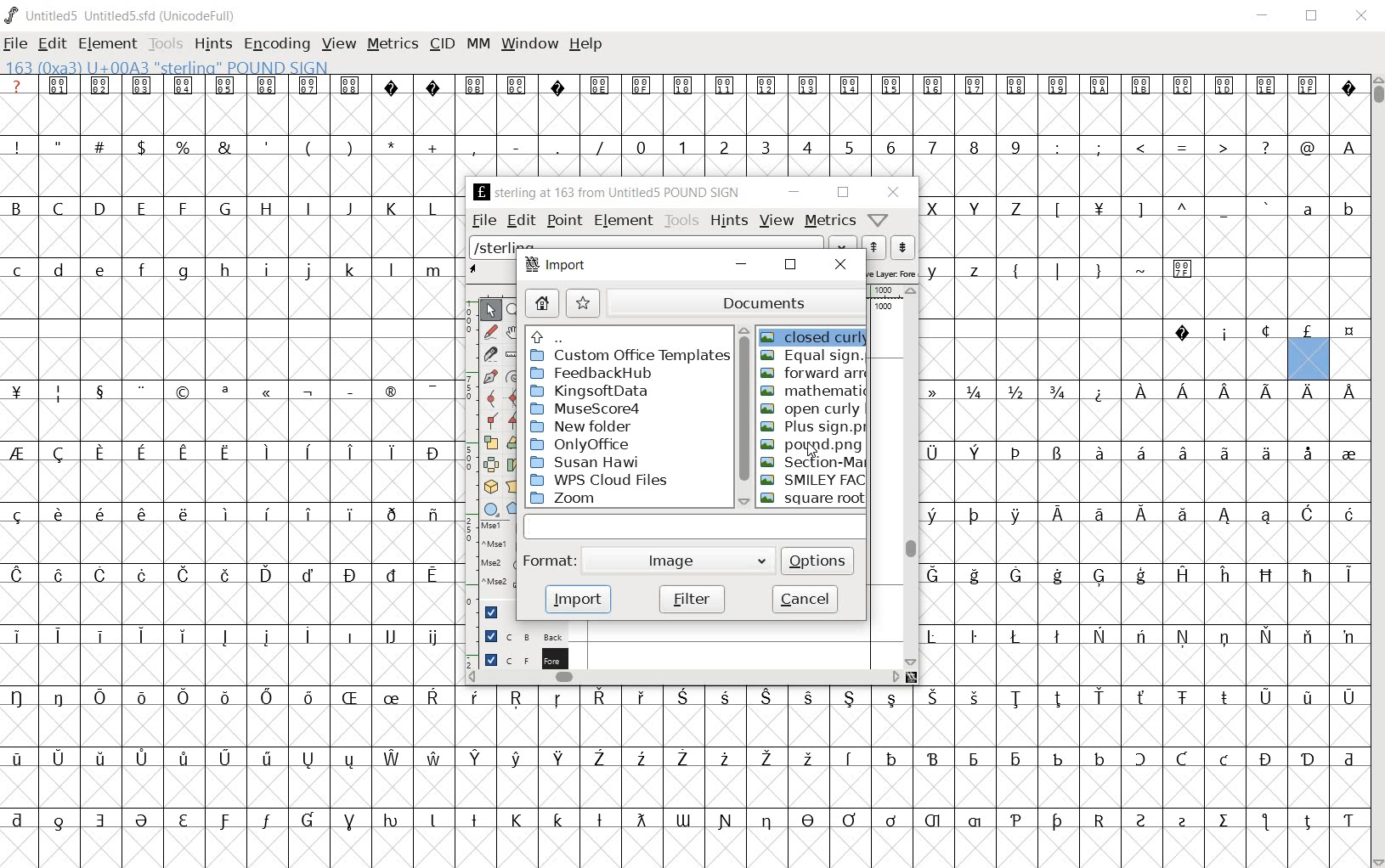 The height and width of the screenshot is (868, 1385). What do you see at coordinates (513, 442) in the screenshot?
I see `Rotate` at bounding box center [513, 442].